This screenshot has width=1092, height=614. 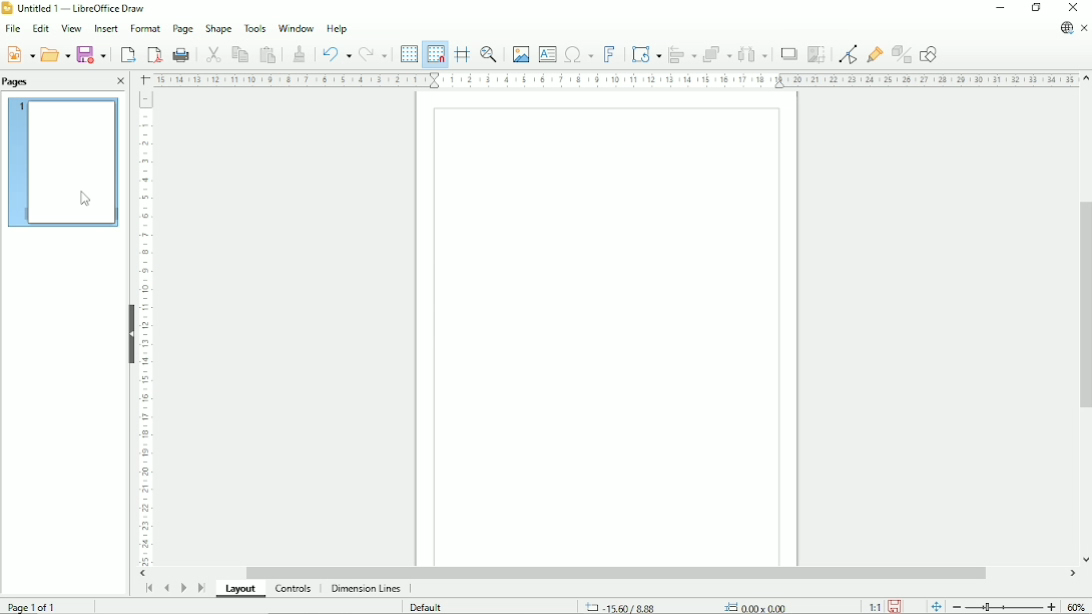 I want to click on Minimize, so click(x=999, y=8).